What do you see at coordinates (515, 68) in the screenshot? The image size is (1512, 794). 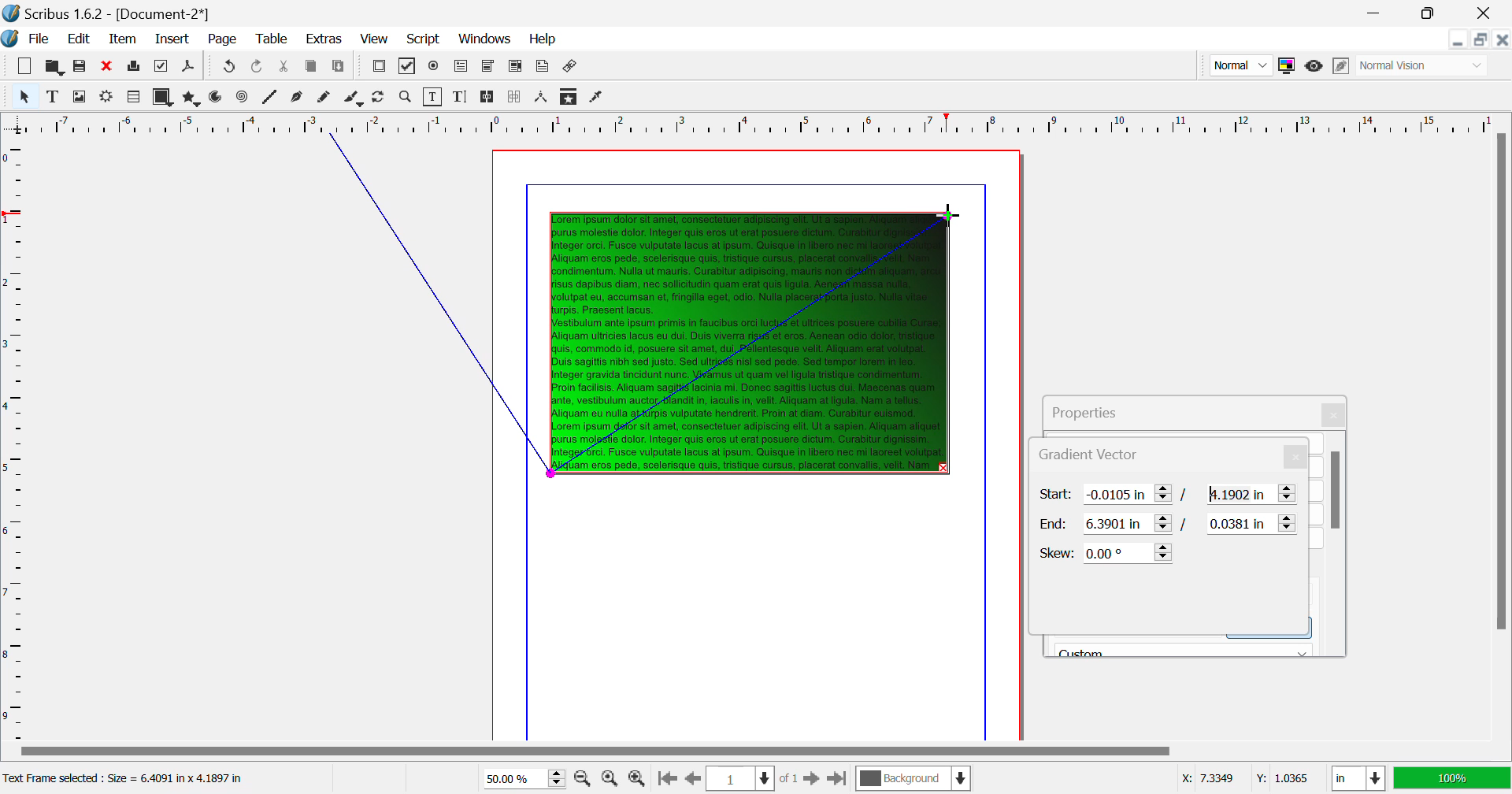 I see `Pdf List Box` at bounding box center [515, 68].